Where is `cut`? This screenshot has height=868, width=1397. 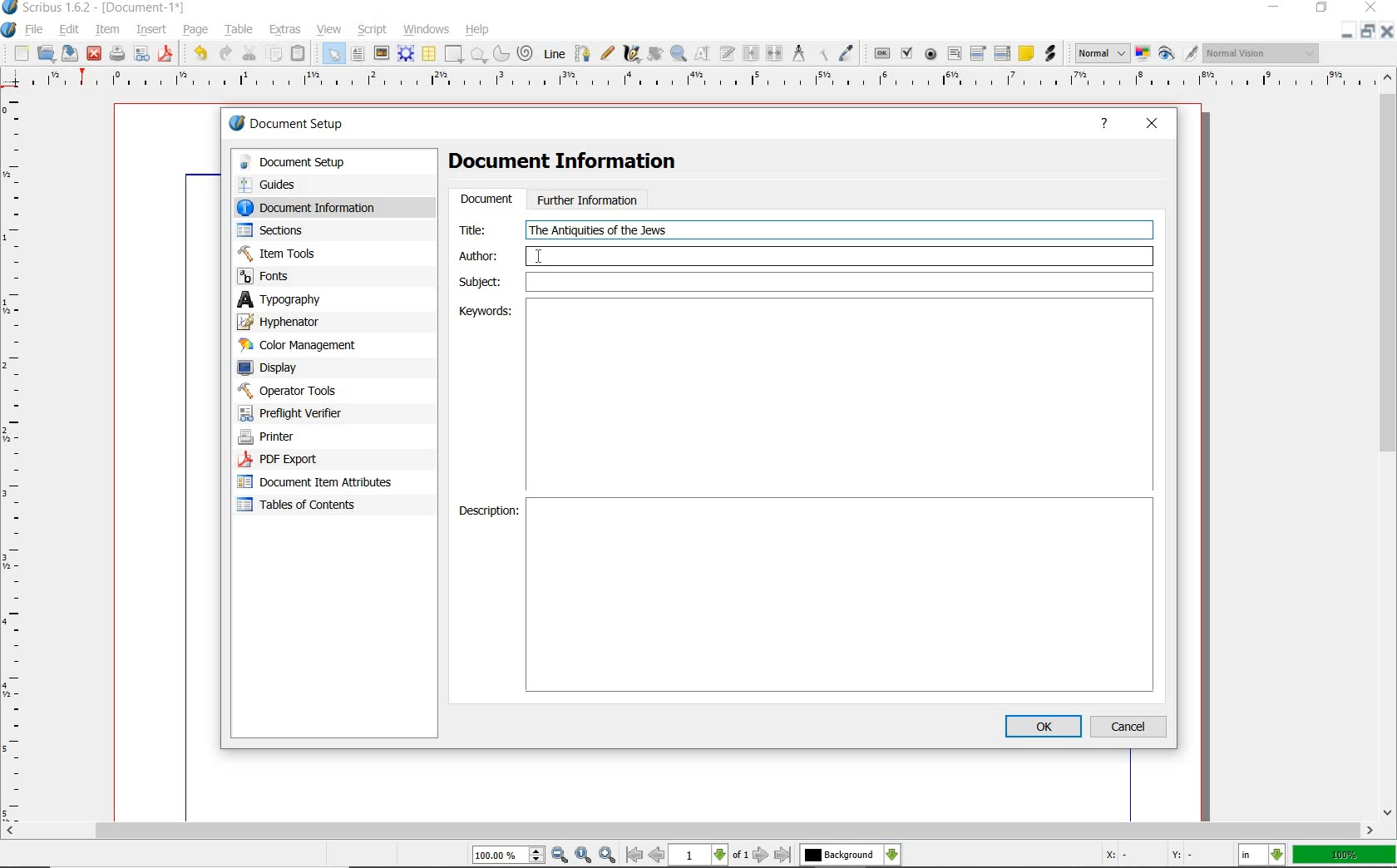
cut is located at coordinates (250, 53).